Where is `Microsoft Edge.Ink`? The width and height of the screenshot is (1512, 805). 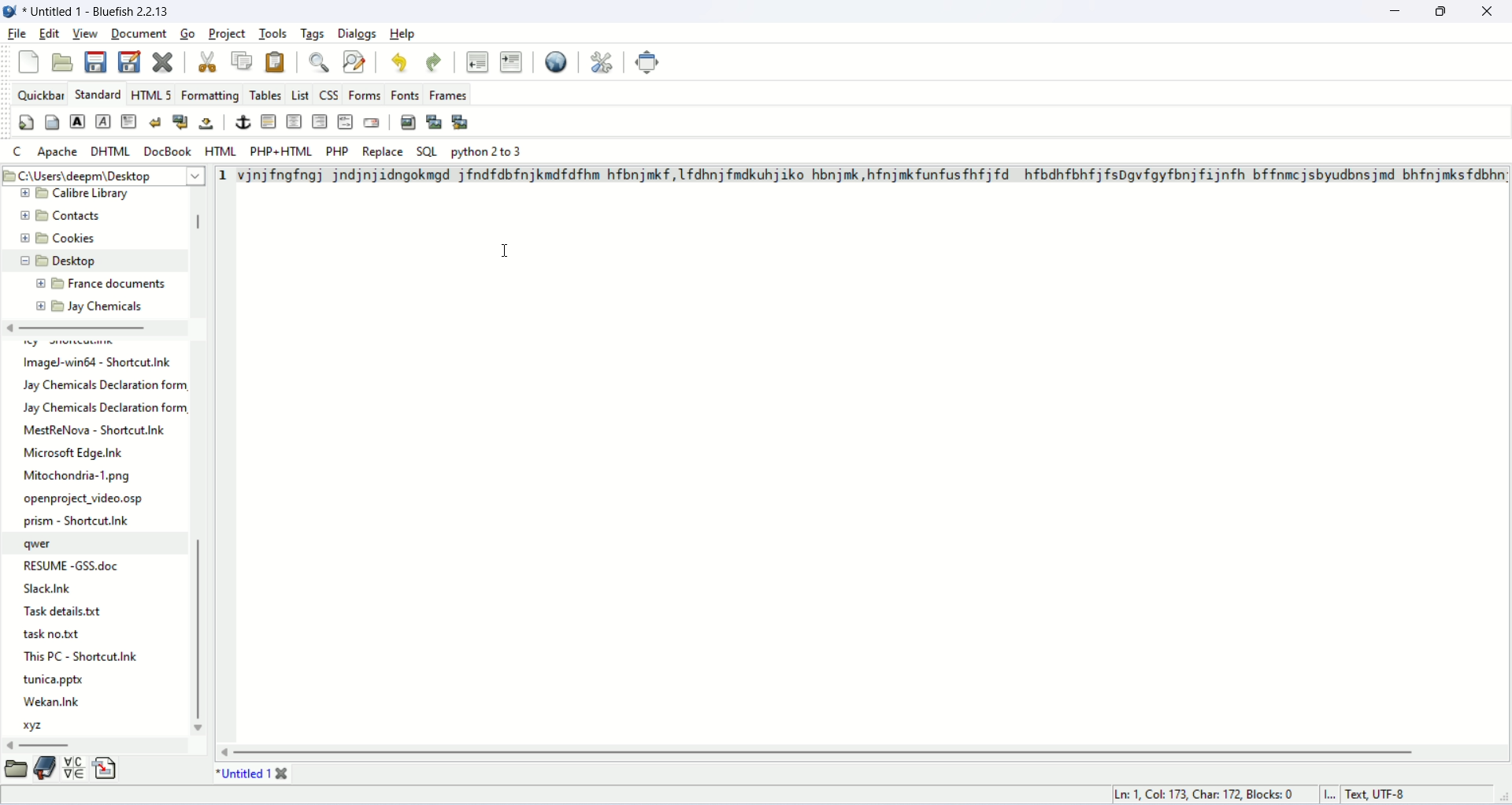 Microsoft Edge.Ink is located at coordinates (74, 452).